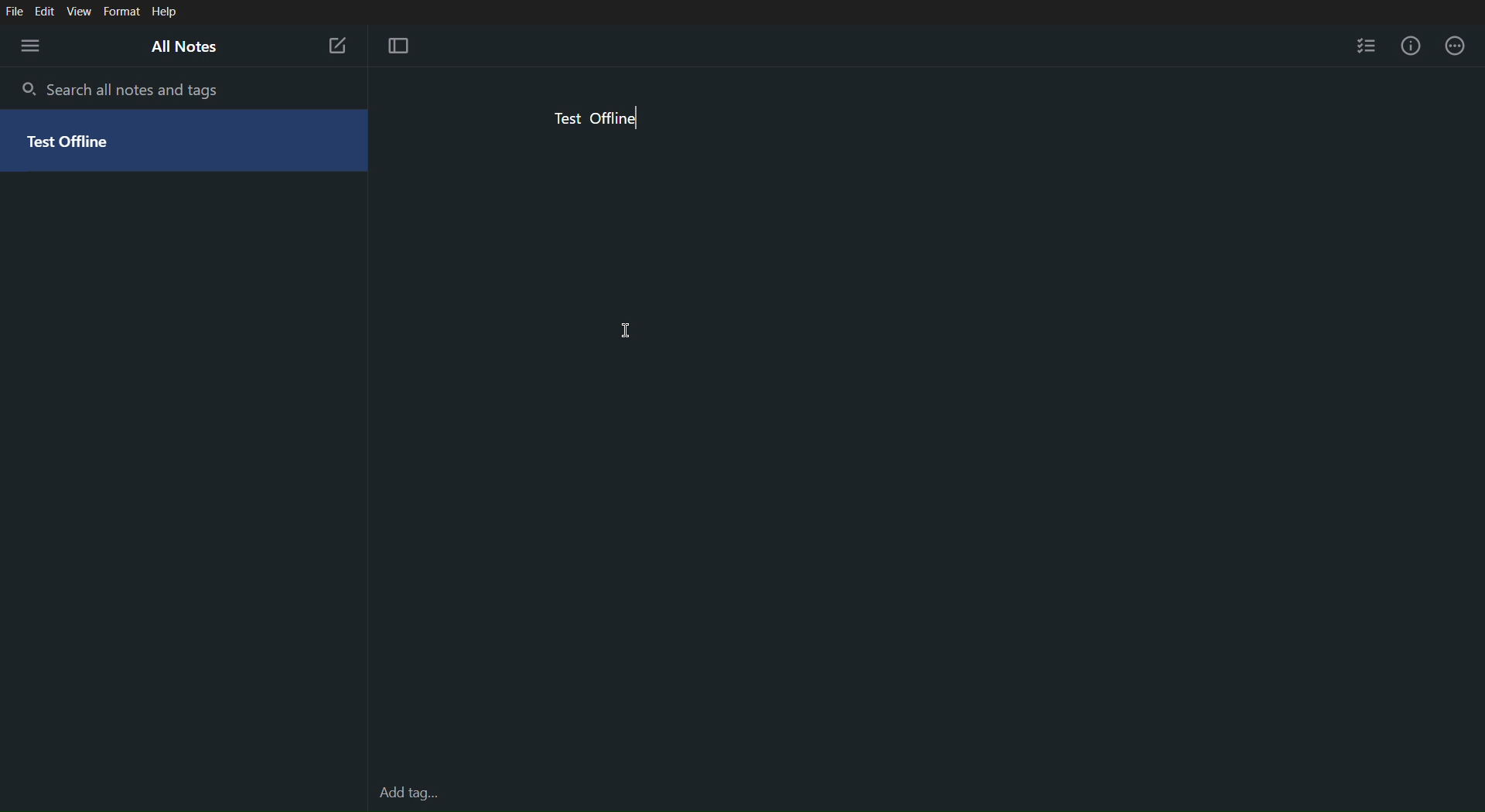 The width and height of the screenshot is (1485, 812). Describe the element at coordinates (1367, 48) in the screenshot. I see `Checklist` at that location.